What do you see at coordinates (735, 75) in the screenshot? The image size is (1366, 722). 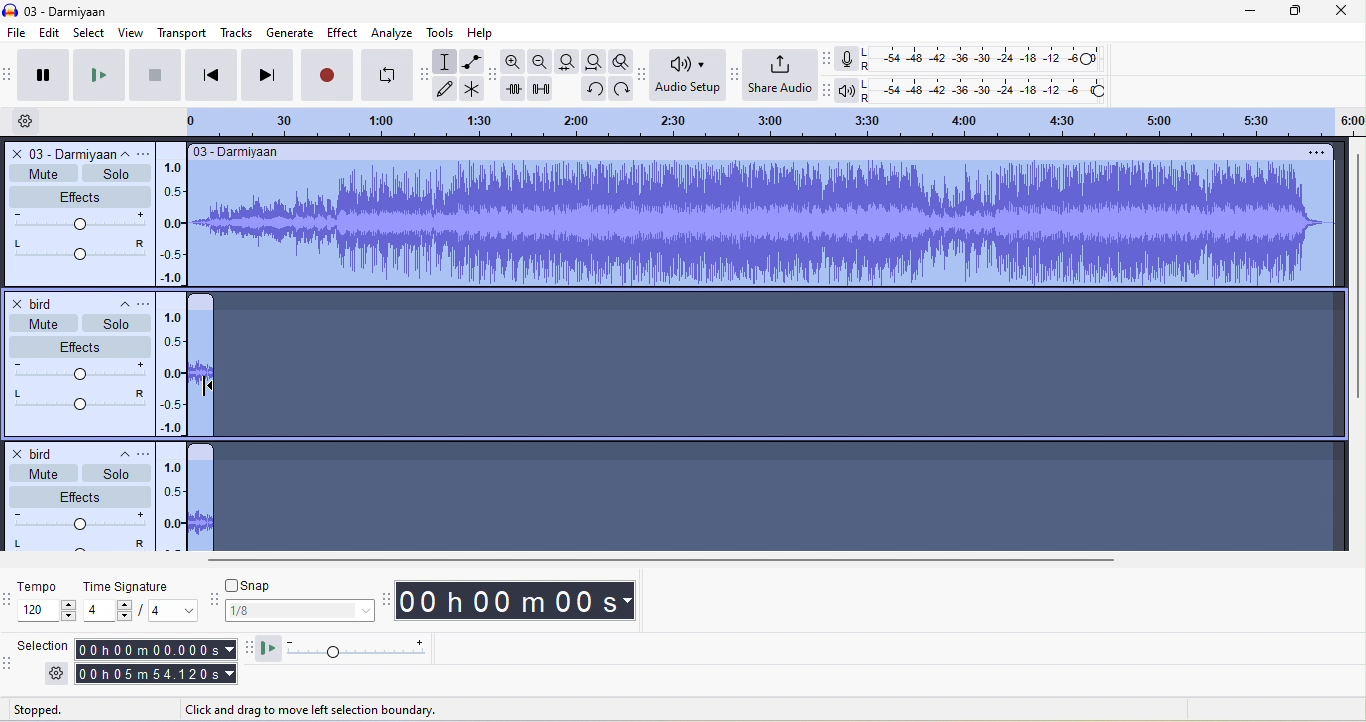 I see `audacity share audio` at bounding box center [735, 75].